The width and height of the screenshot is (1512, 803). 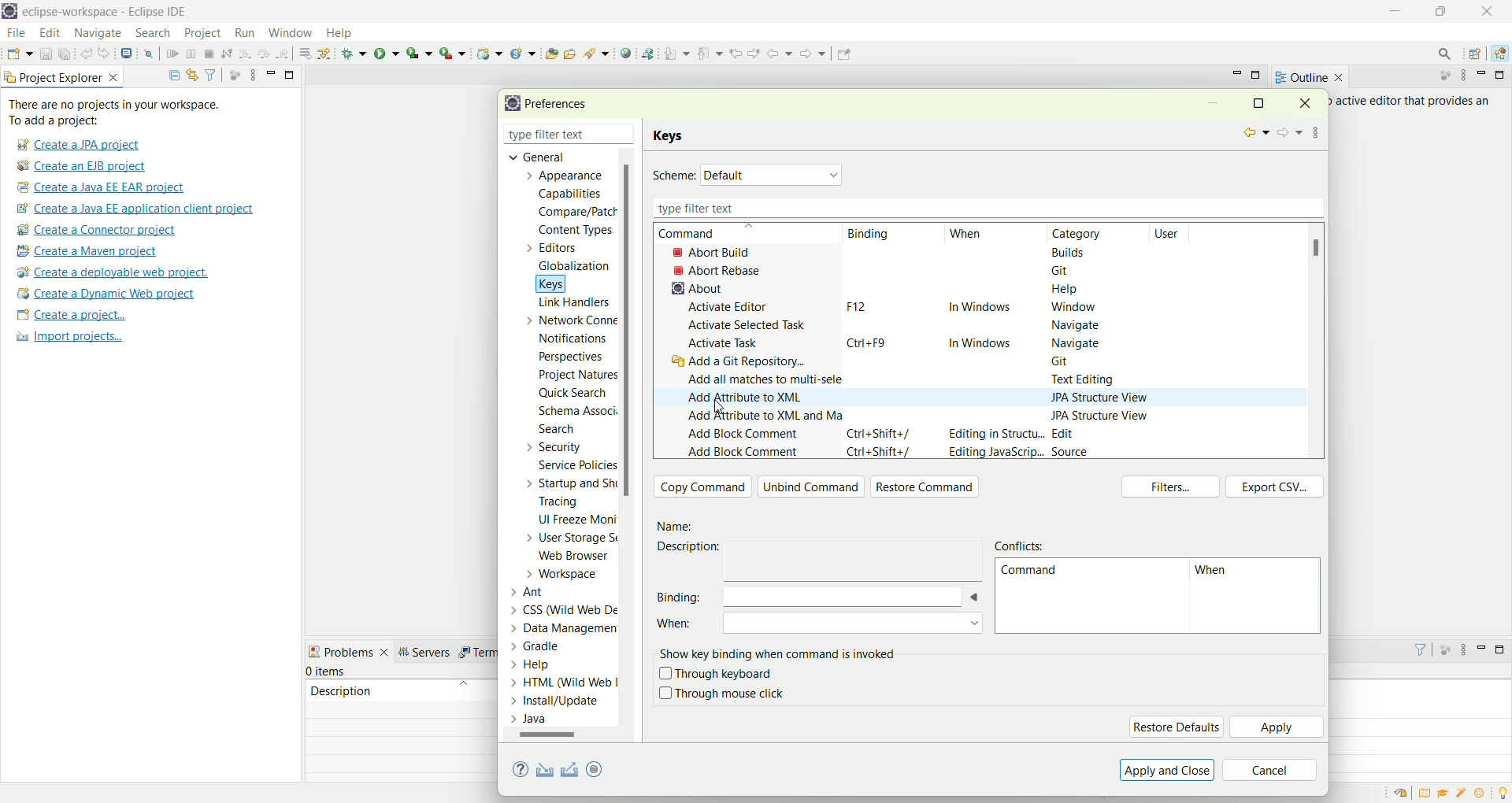 I want to click on samples, so click(x=1463, y=793).